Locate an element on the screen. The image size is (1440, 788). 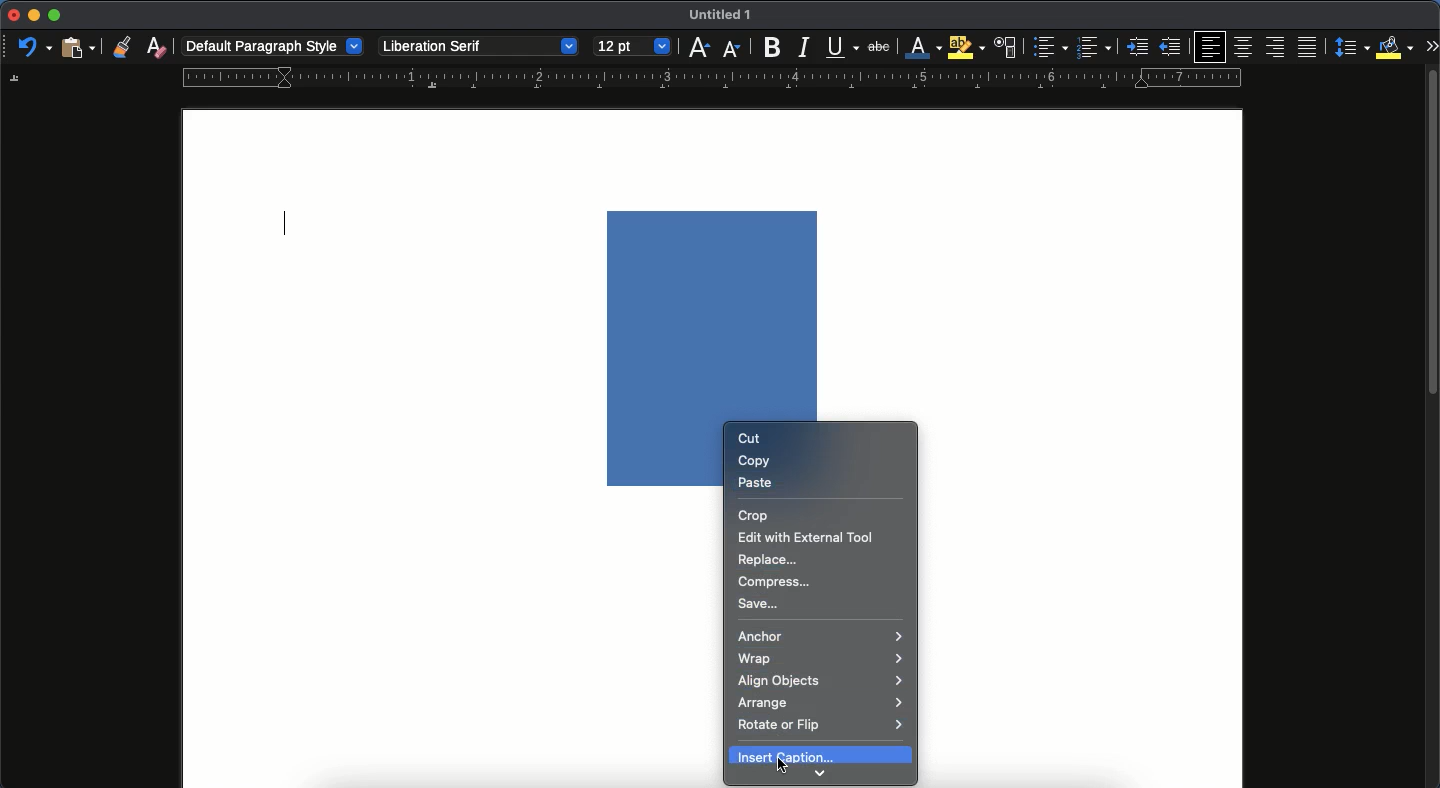
insert caption is located at coordinates (823, 754).